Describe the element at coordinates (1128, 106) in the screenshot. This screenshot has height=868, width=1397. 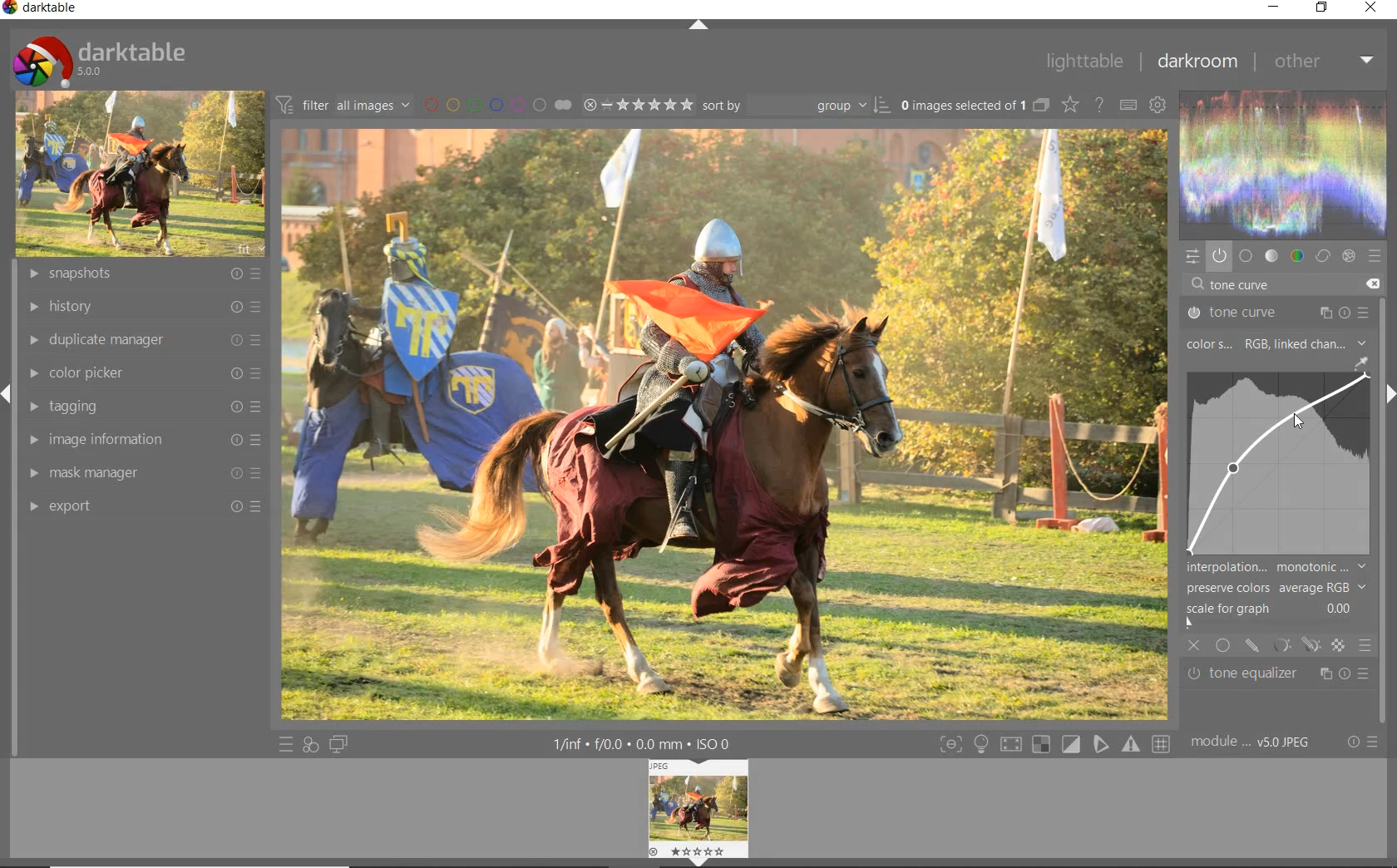
I see `define keyboard shortcuts` at that location.